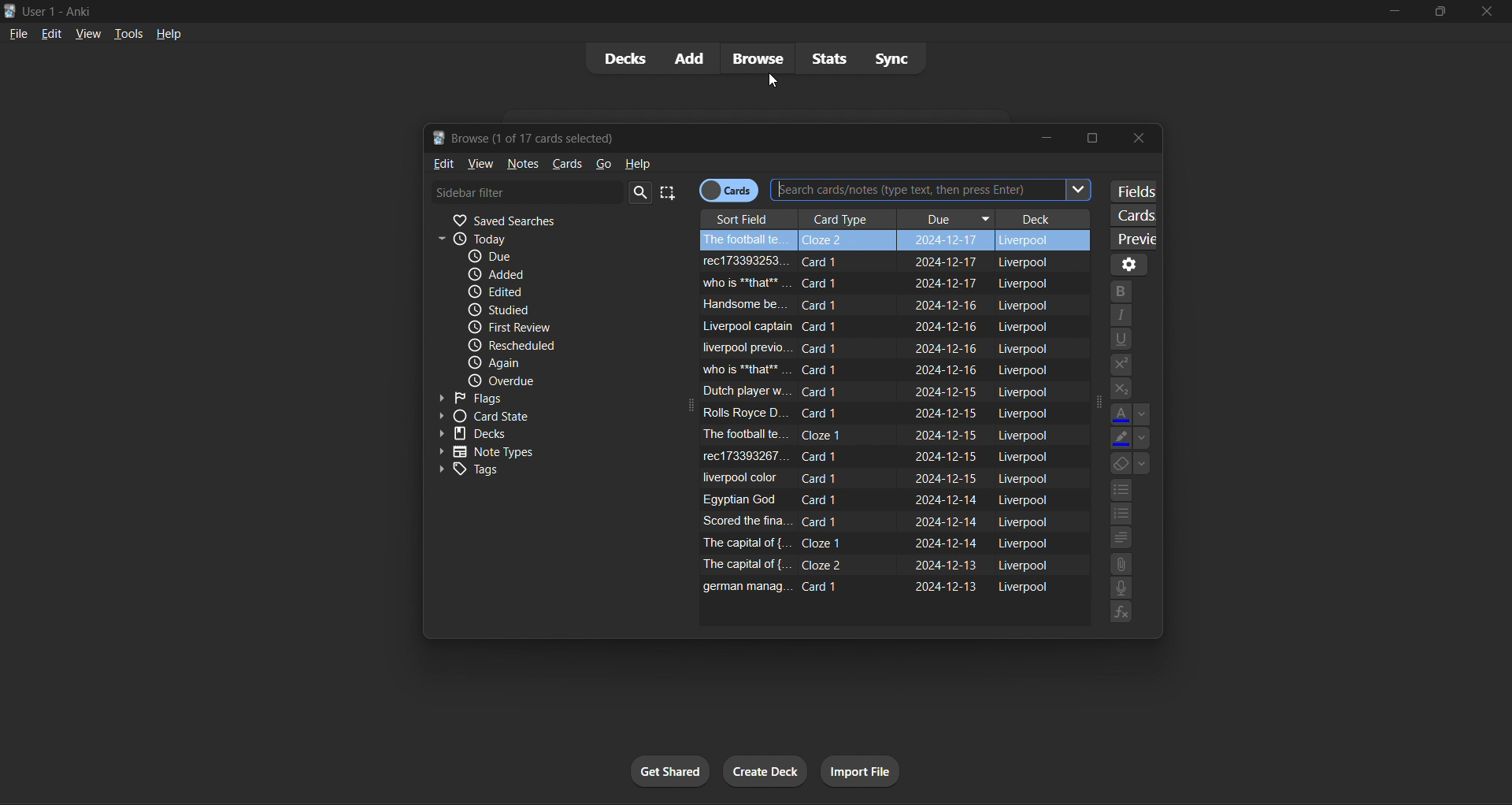 Image resolution: width=1512 pixels, height=805 pixels. What do you see at coordinates (949, 412) in the screenshot?
I see `due date` at bounding box center [949, 412].